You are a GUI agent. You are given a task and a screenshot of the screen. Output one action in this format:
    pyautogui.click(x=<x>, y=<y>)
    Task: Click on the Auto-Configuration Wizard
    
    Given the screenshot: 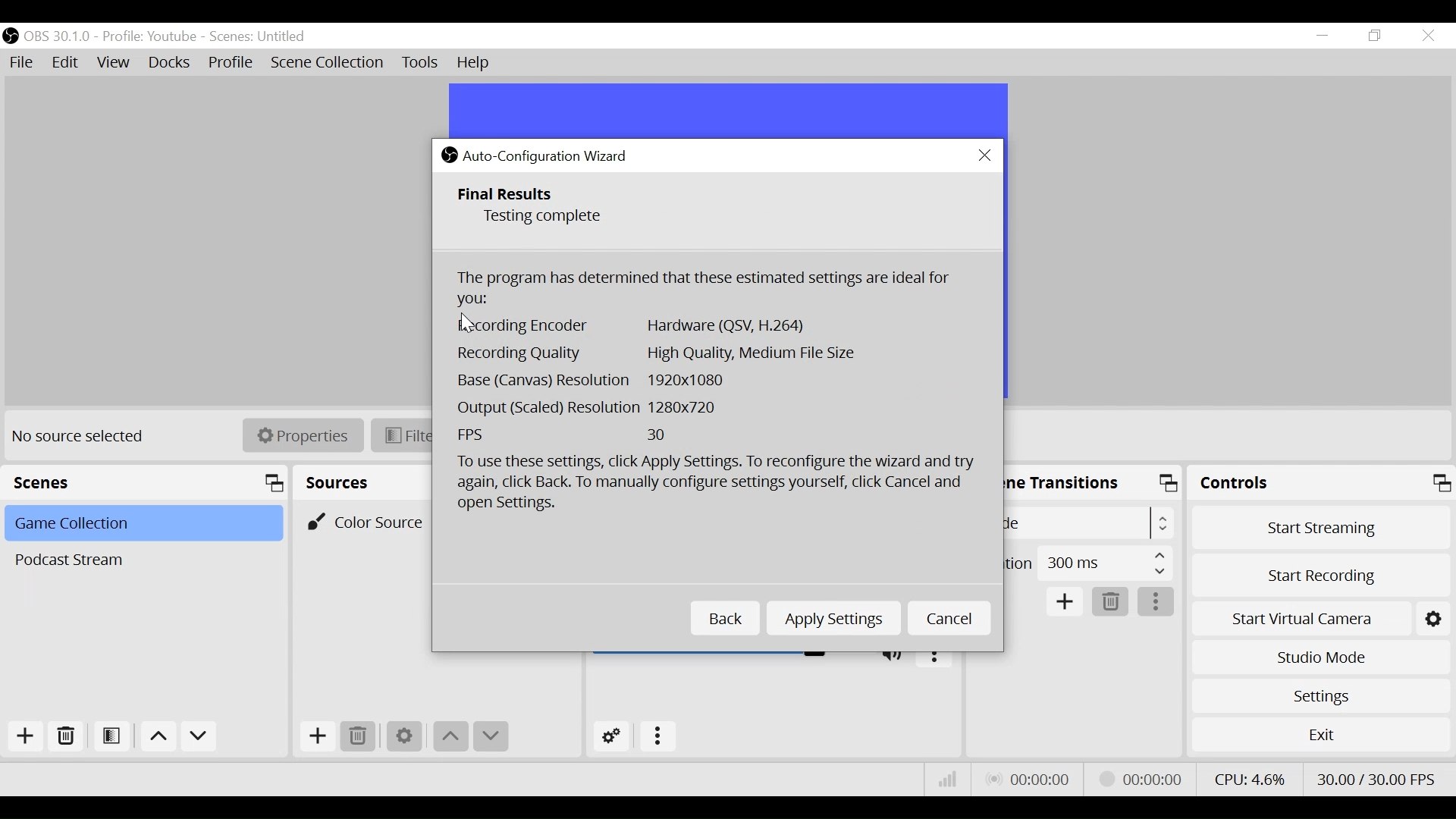 What is the action you would take?
    pyautogui.click(x=553, y=153)
    